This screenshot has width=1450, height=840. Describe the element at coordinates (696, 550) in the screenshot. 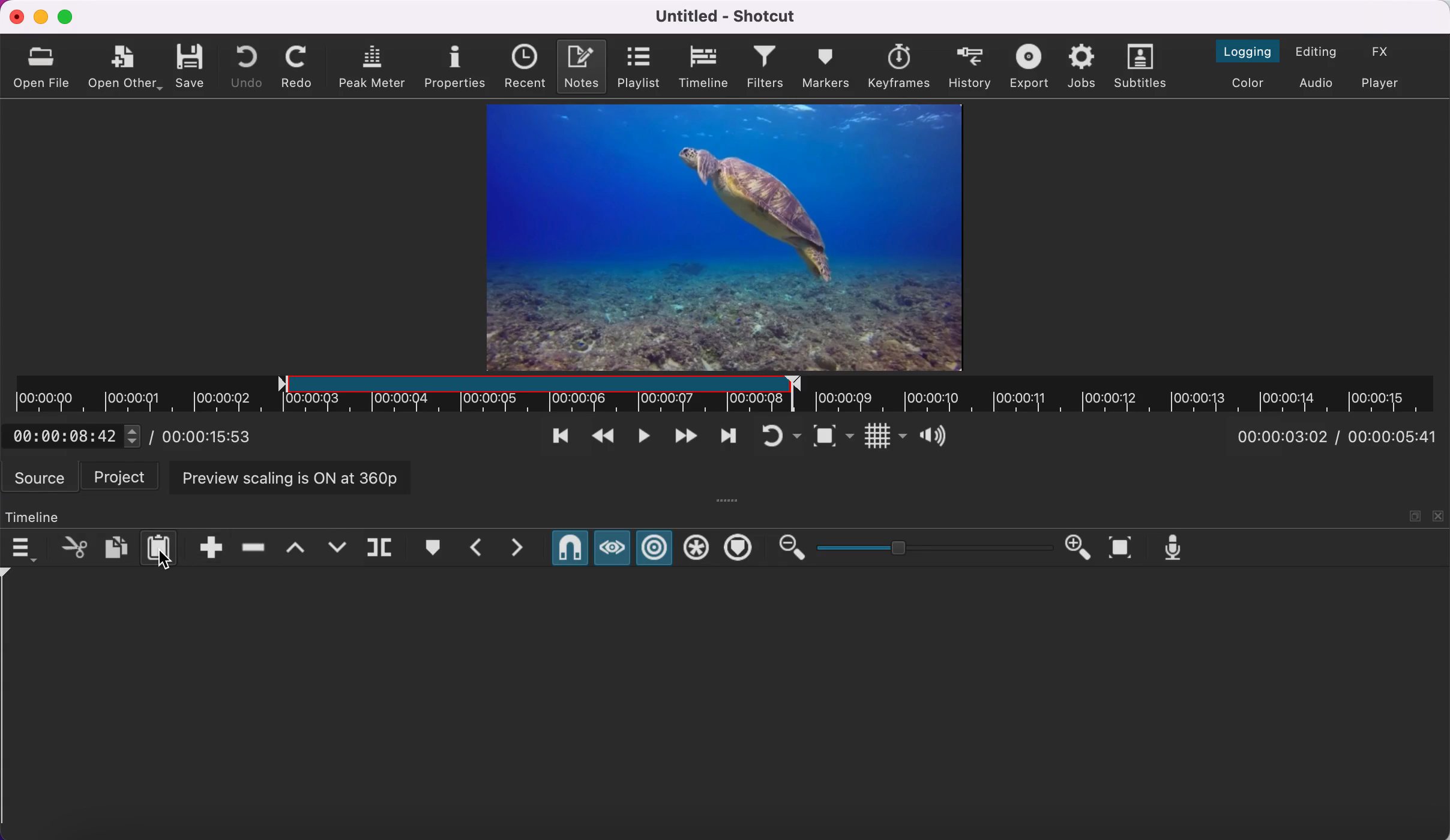

I see `ripple all tracks` at that location.